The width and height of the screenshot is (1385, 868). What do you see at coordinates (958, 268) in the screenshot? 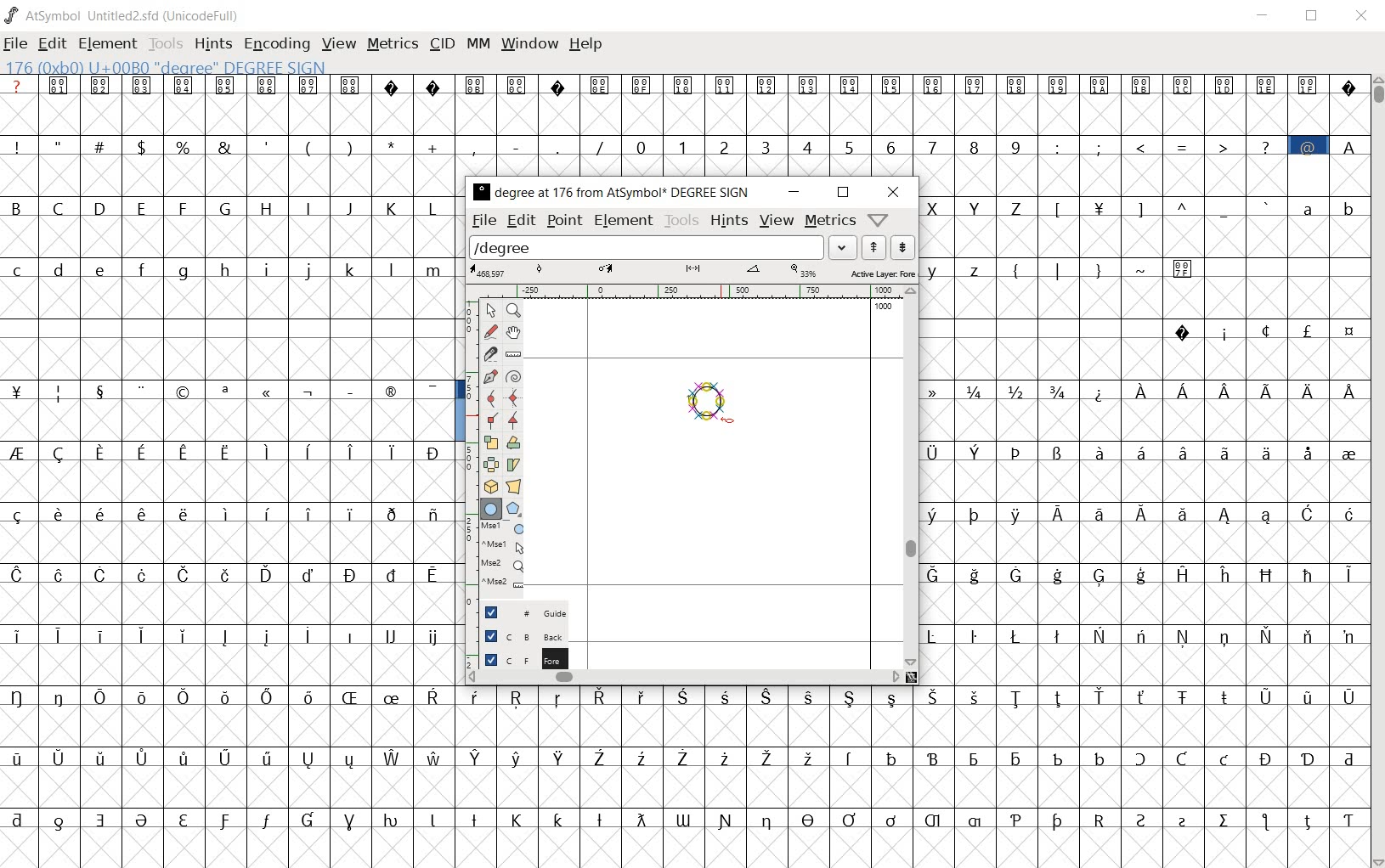
I see `y z` at bounding box center [958, 268].